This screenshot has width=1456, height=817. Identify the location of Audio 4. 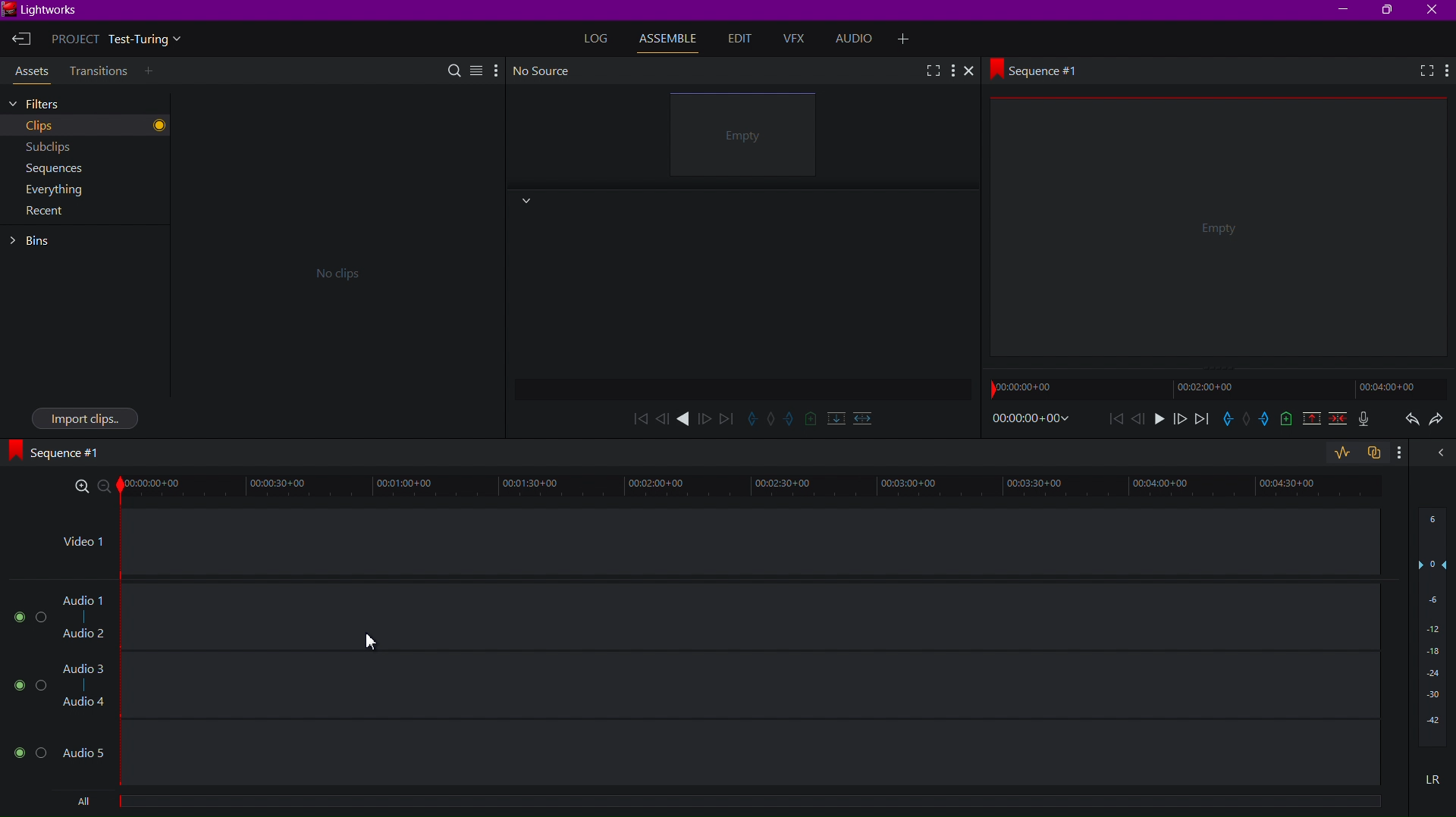
(83, 705).